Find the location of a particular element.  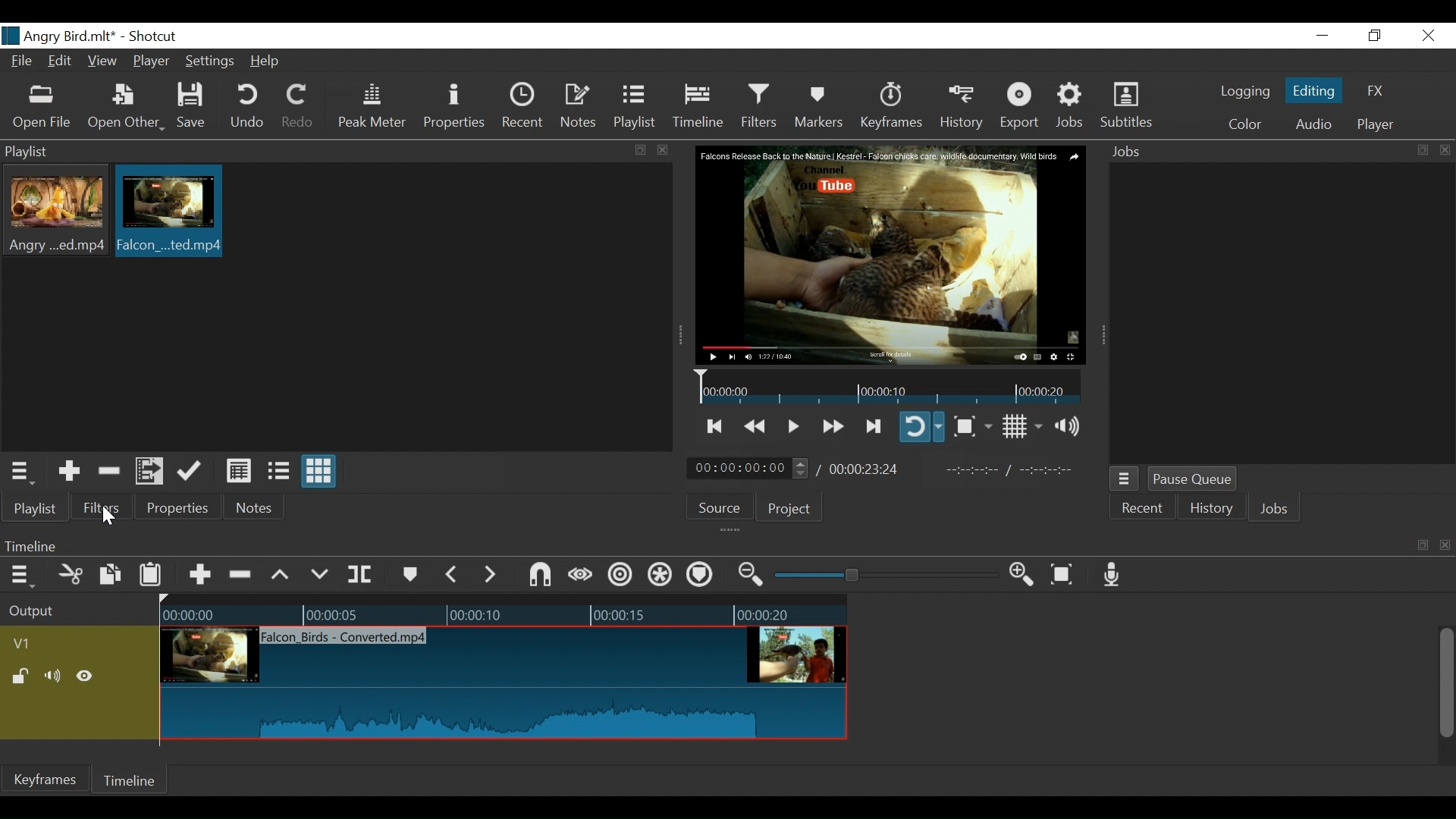

Notes is located at coordinates (579, 106).